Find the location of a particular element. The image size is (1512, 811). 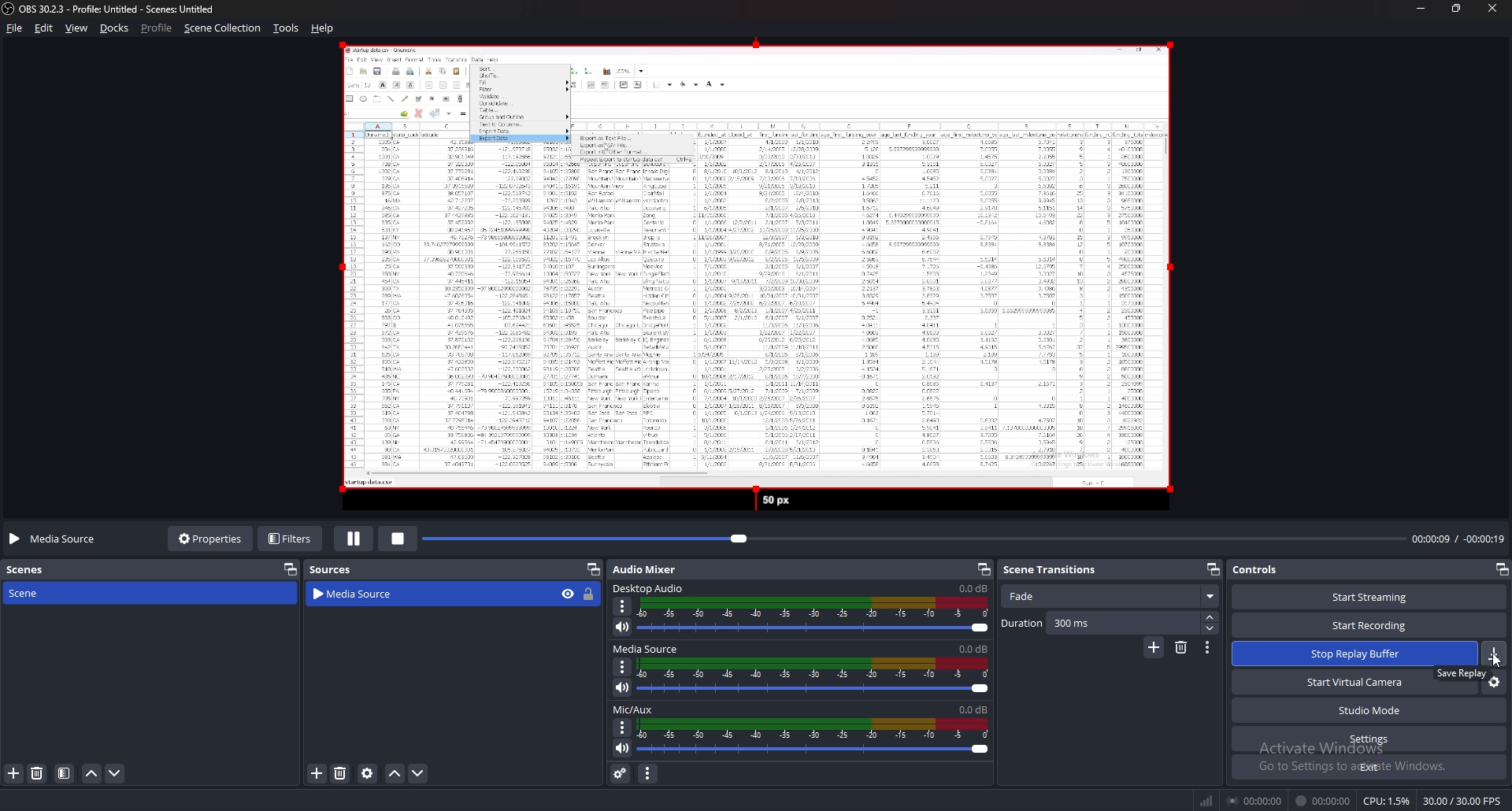

start virtual camera is located at coordinates (1332, 681).